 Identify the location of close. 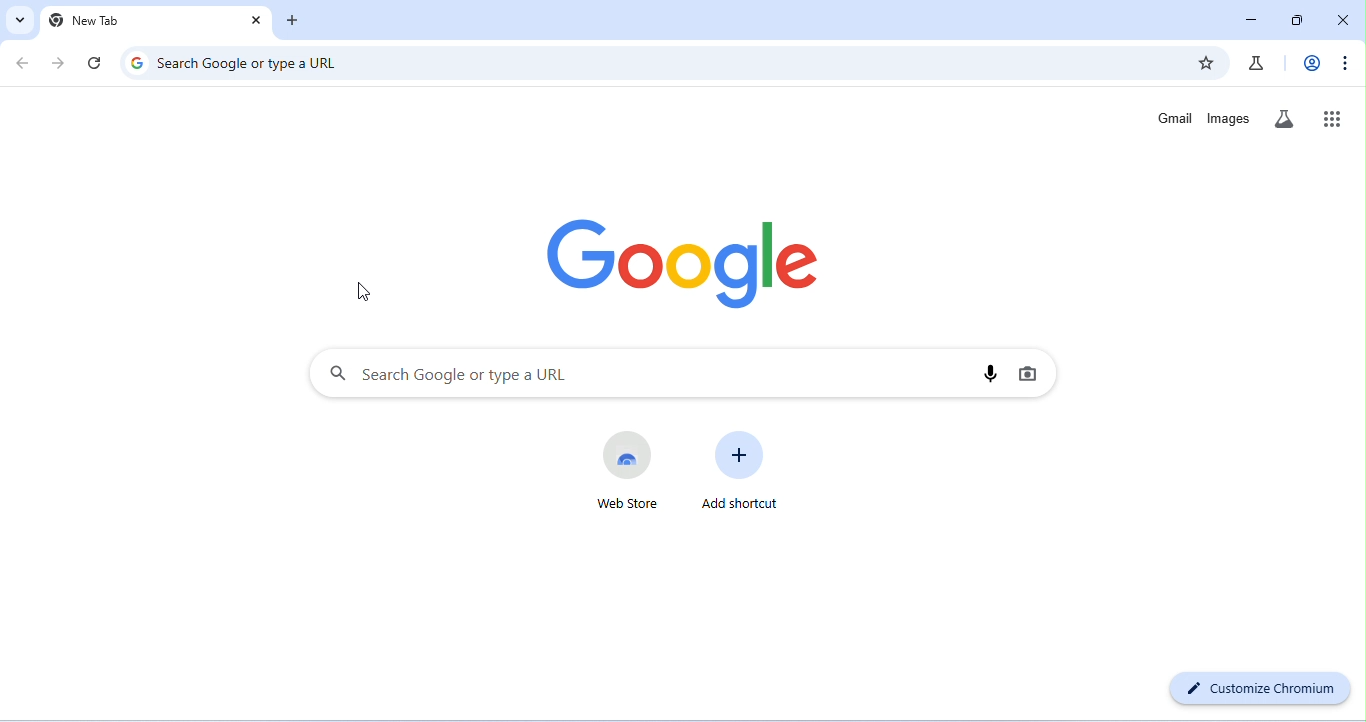
(254, 21).